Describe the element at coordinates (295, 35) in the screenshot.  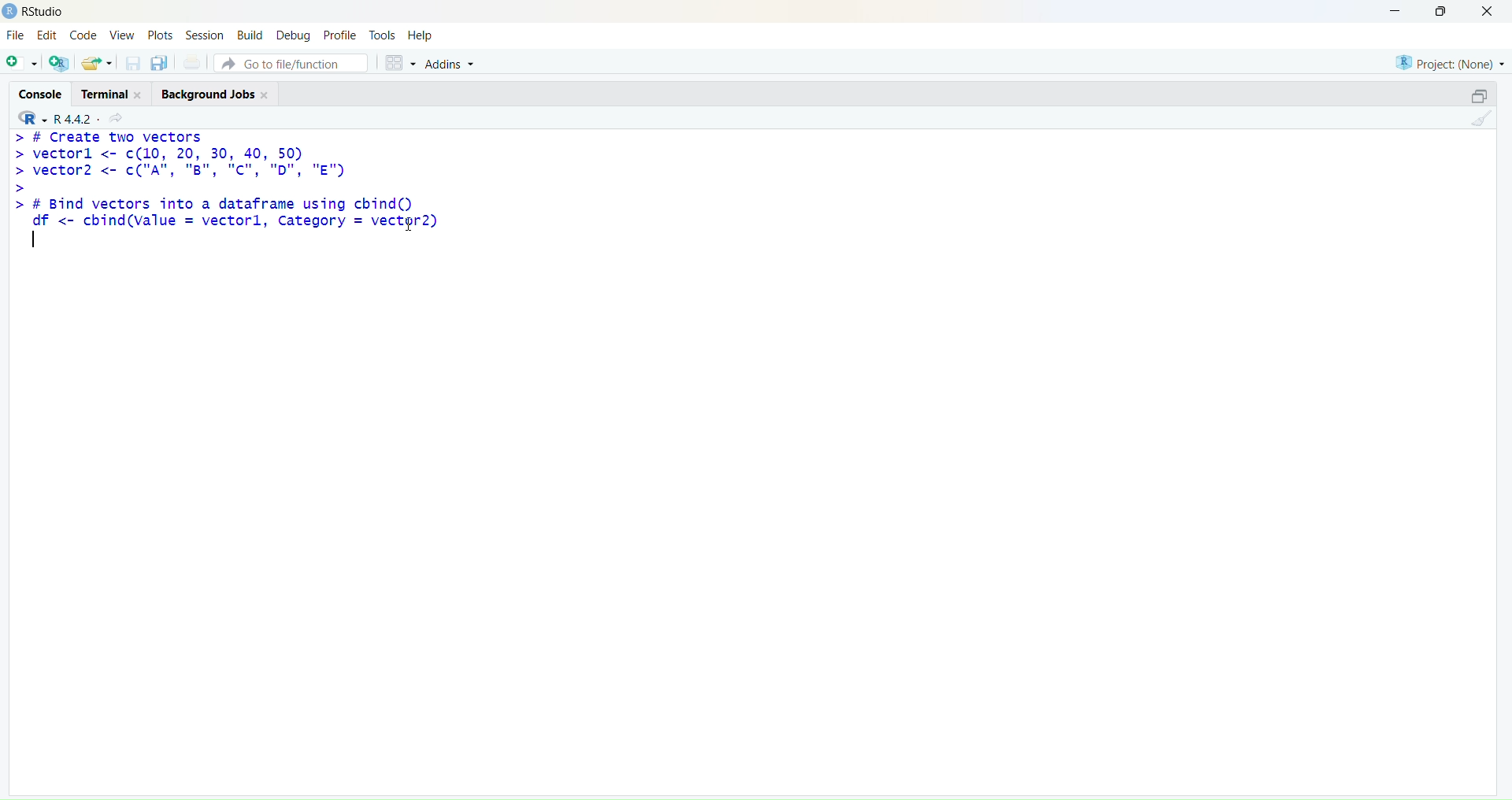
I see `Debug` at that location.